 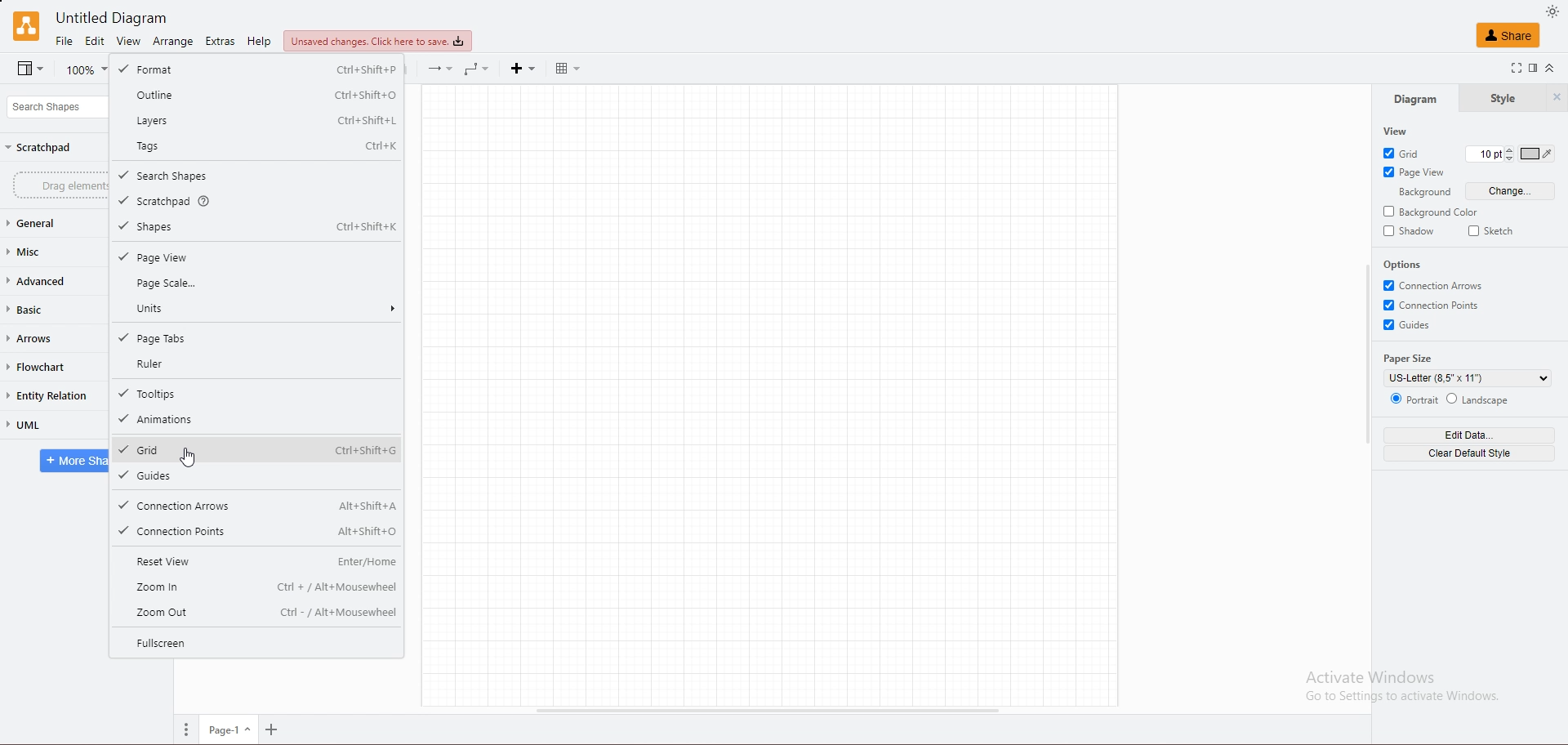 What do you see at coordinates (440, 69) in the screenshot?
I see `connection` at bounding box center [440, 69].